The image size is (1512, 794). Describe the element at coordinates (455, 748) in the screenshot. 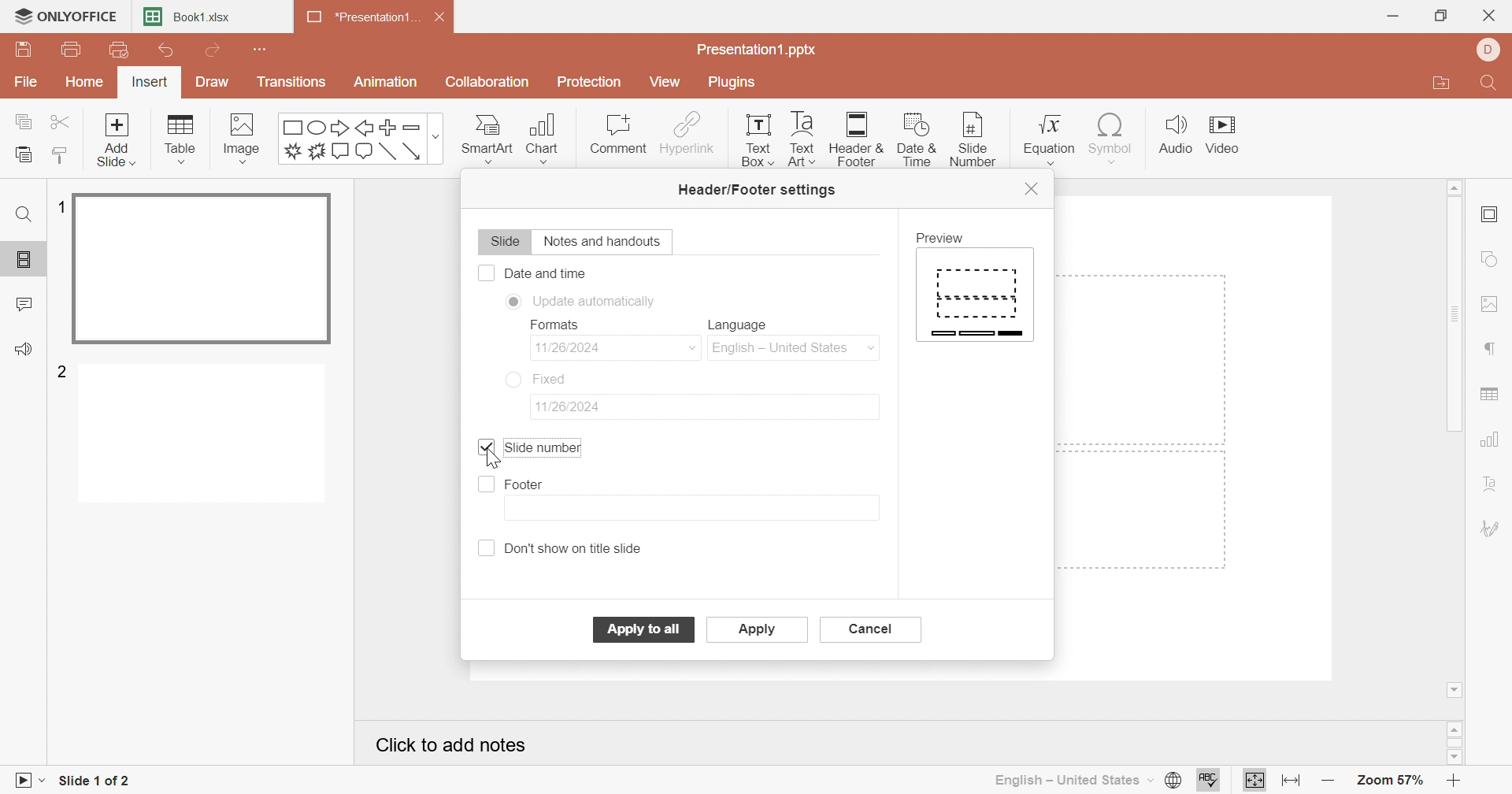

I see `Click to add notes` at that location.